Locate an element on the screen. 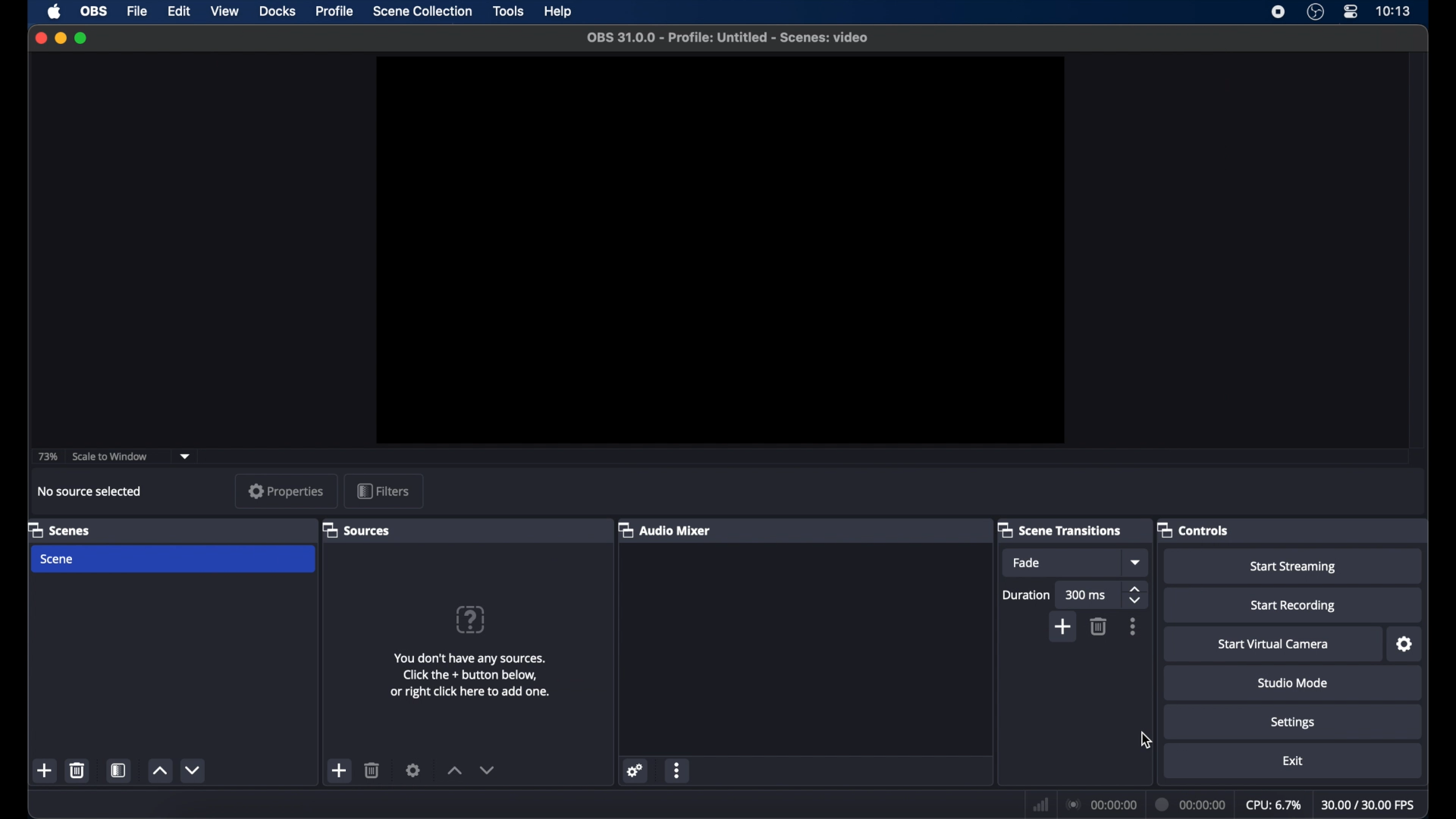 This screenshot has height=819, width=1456. view is located at coordinates (226, 11).